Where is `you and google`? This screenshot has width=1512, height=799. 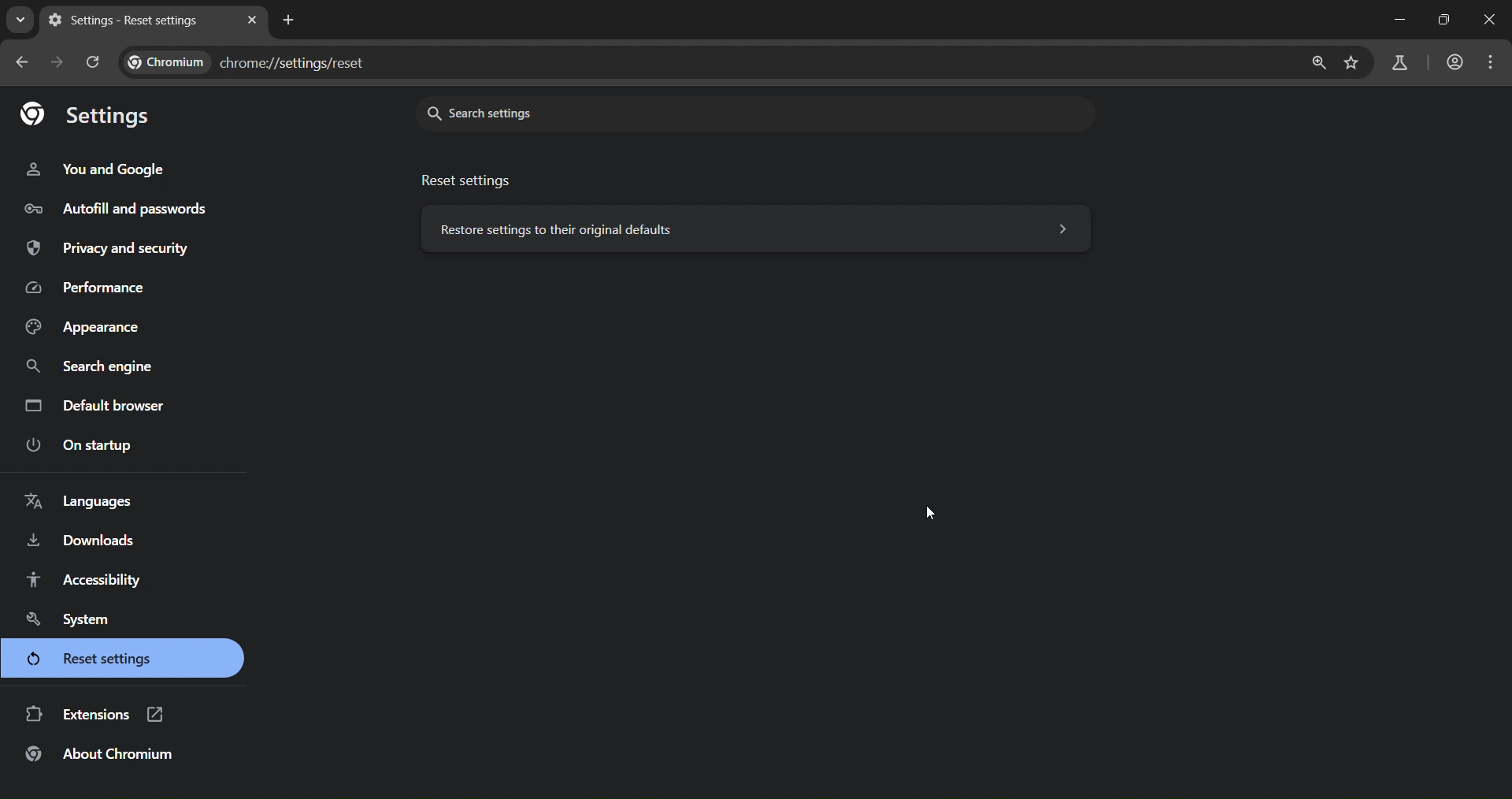 you and google is located at coordinates (100, 168).